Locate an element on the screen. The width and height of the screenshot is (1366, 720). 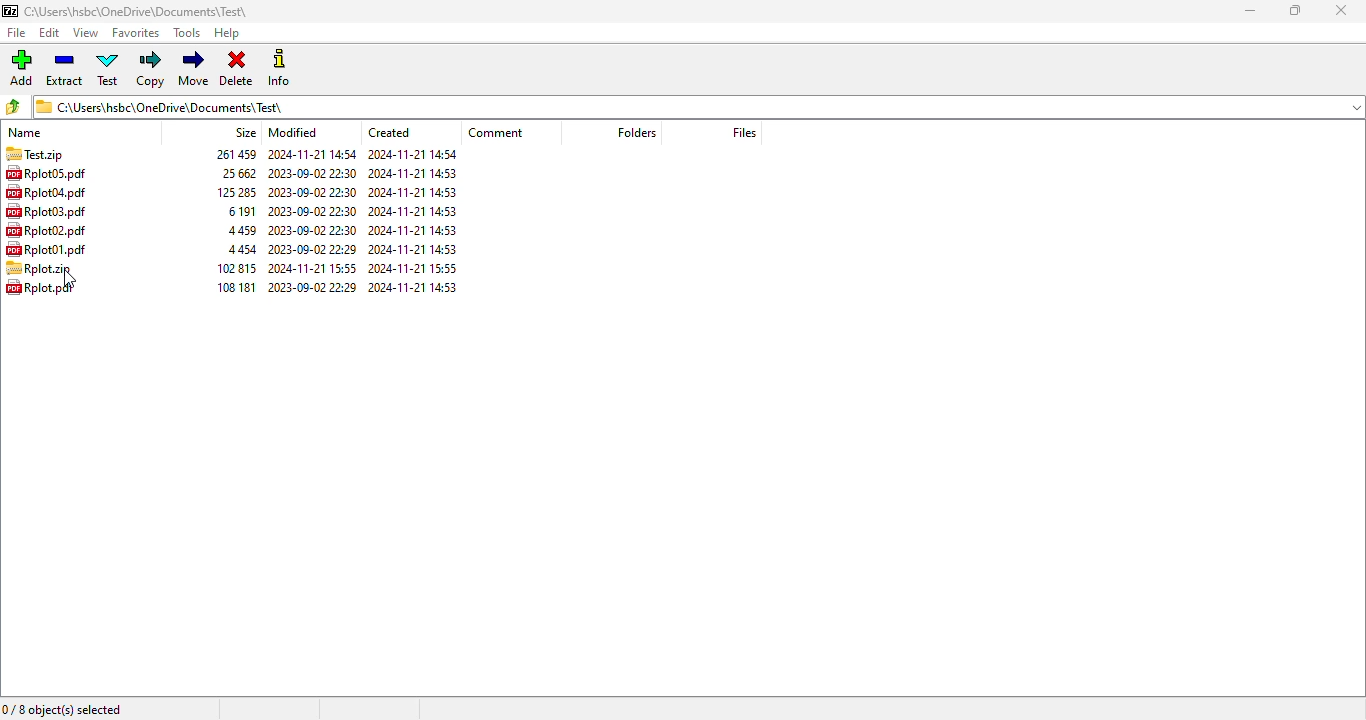
browse files is located at coordinates (12, 107).